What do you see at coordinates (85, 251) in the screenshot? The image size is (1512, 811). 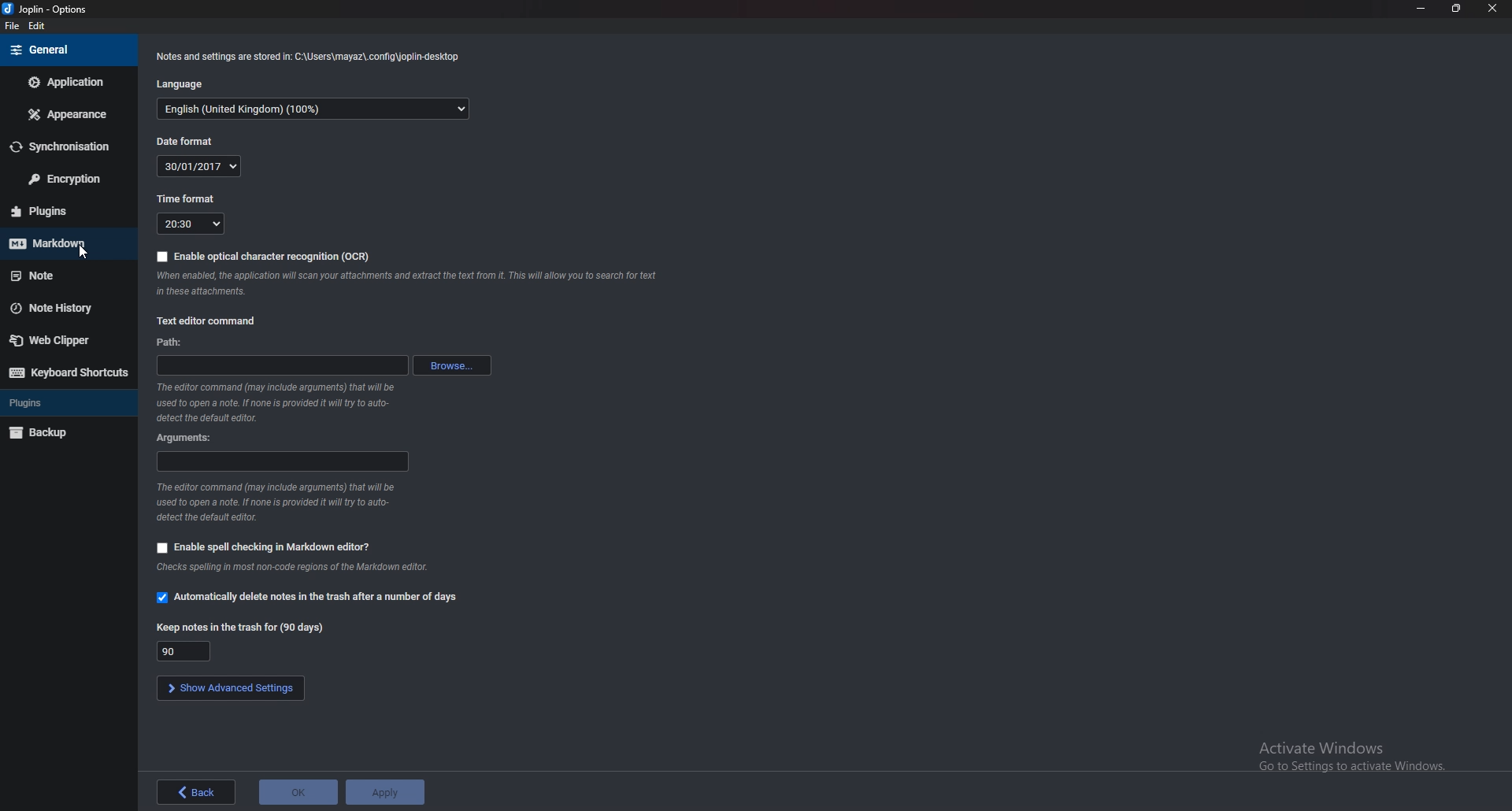 I see `cursor` at bounding box center [85, 251].